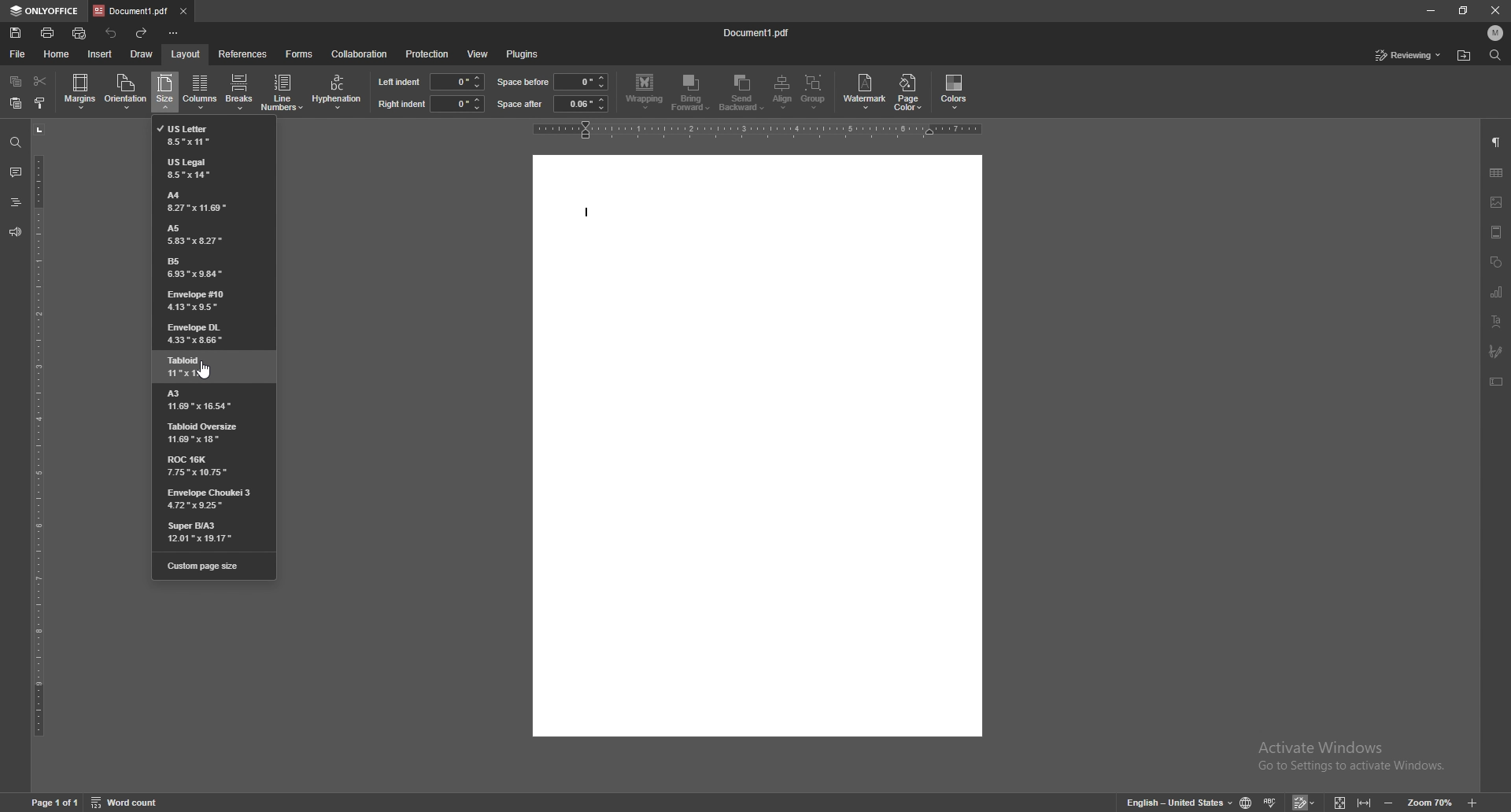 The width and height of the screenshot is (1511, 812). What do you see at coordinates (135, 802) in the screenshot?
I see `Word count` at bounding box center [135, 802].